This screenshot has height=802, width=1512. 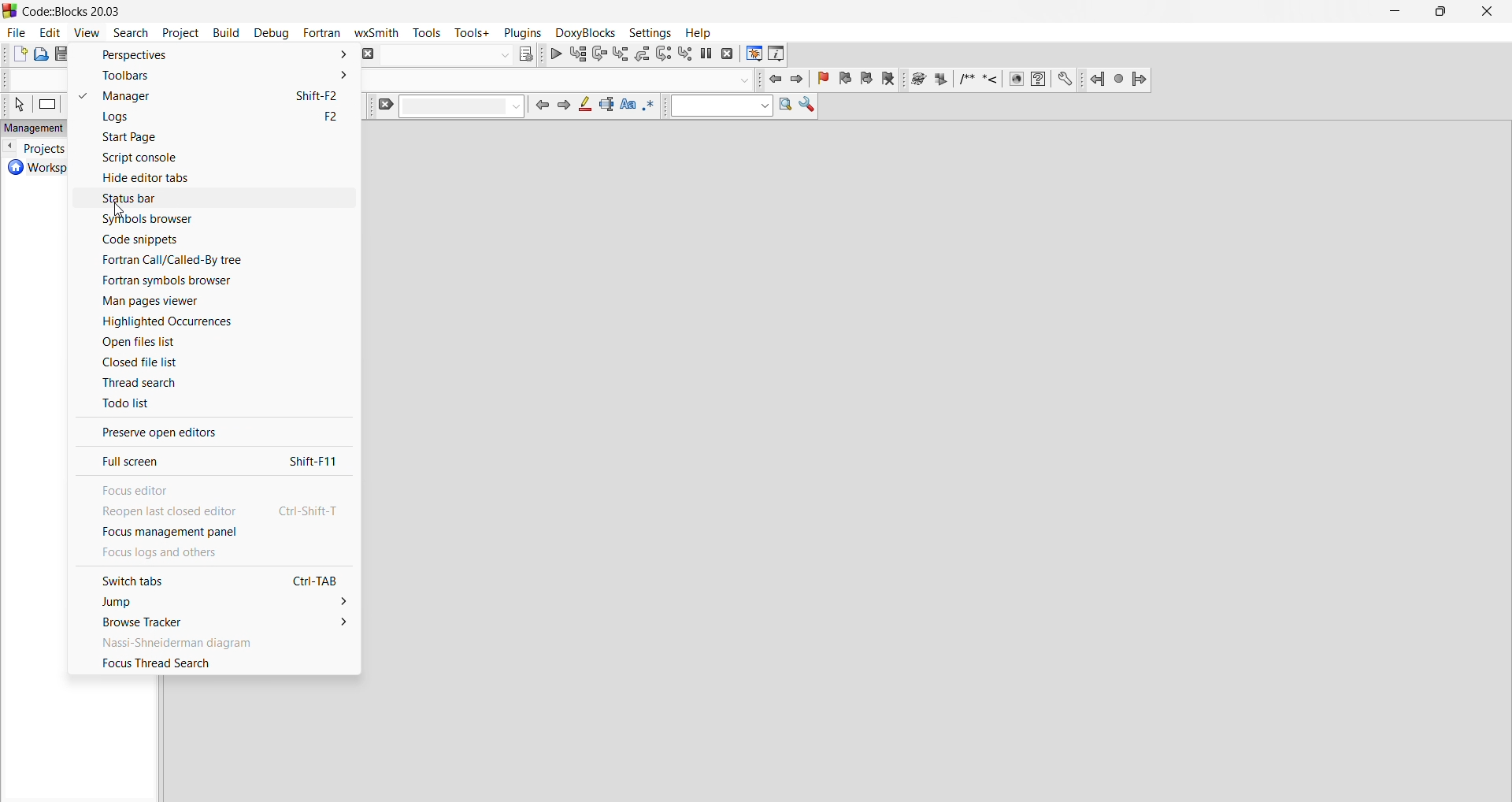 What do you see at coordinates (87, 31) in the screenshot?
I see `view` at bounding box center [87, 31].